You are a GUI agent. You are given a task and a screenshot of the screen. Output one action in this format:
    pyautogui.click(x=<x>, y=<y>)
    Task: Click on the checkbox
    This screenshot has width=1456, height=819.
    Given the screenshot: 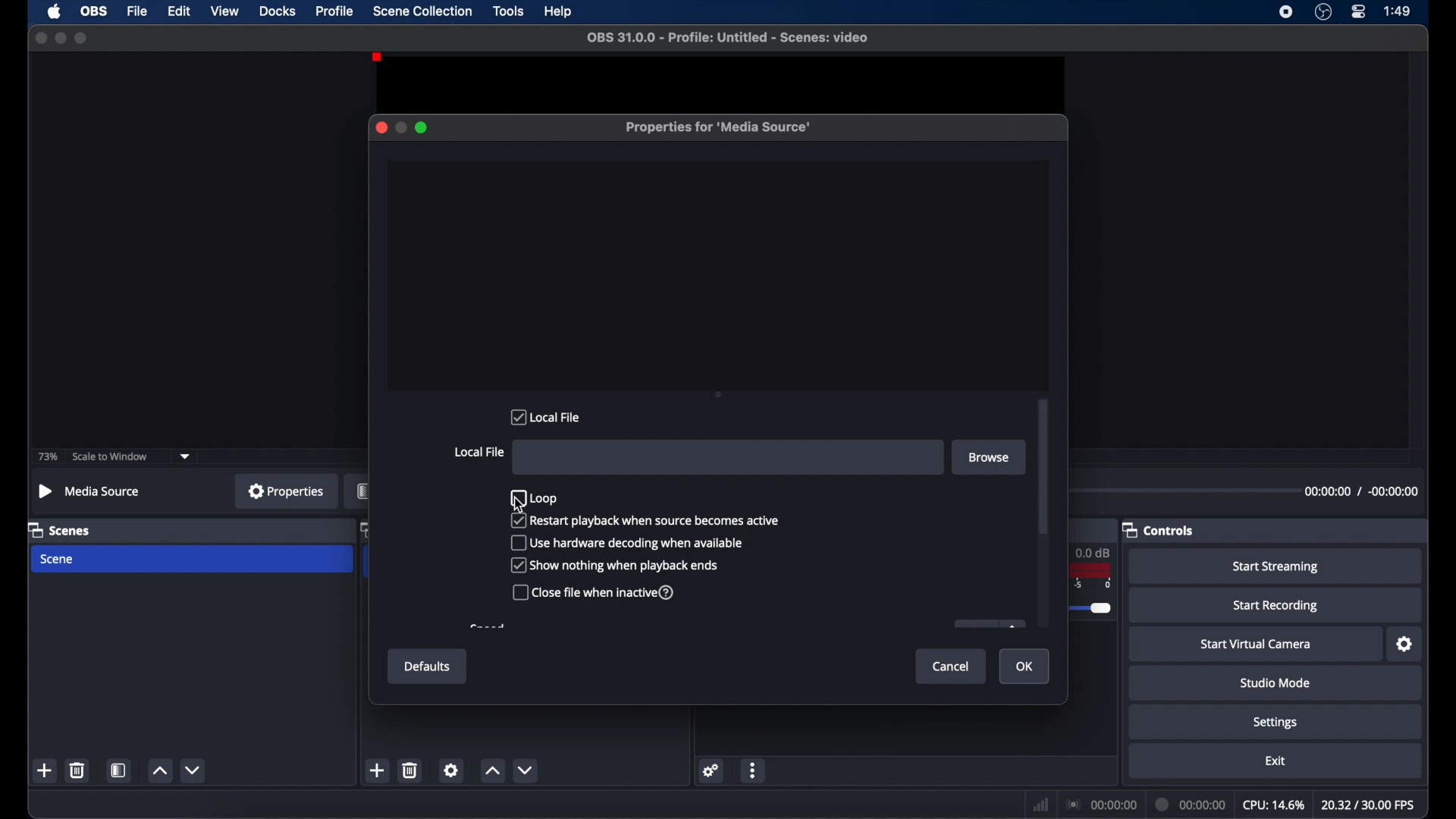 What is the action you would take?
    pyautogui.click(x=628, y=543)
    